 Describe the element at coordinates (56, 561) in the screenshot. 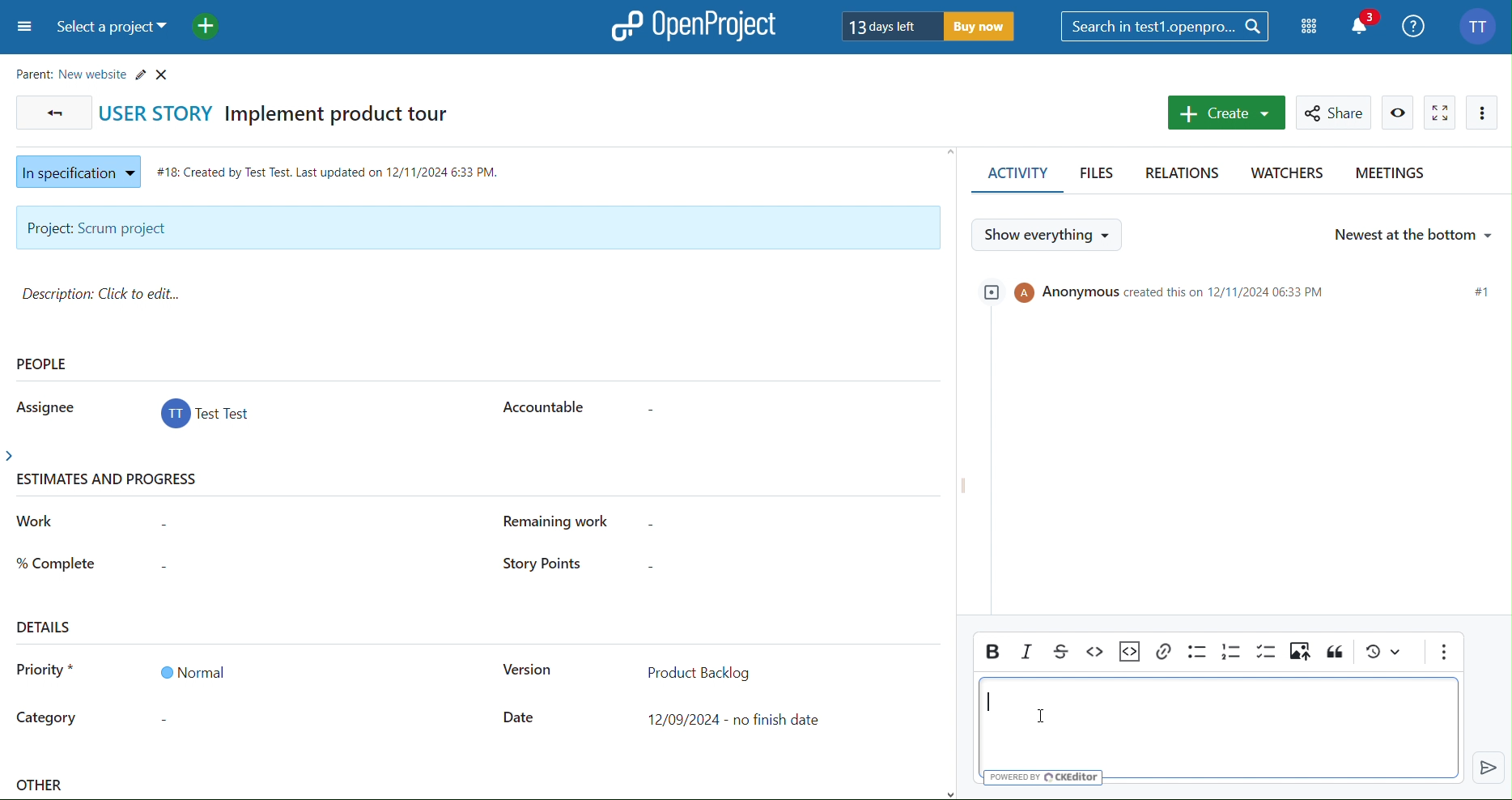

I see `% Complete` at that location.